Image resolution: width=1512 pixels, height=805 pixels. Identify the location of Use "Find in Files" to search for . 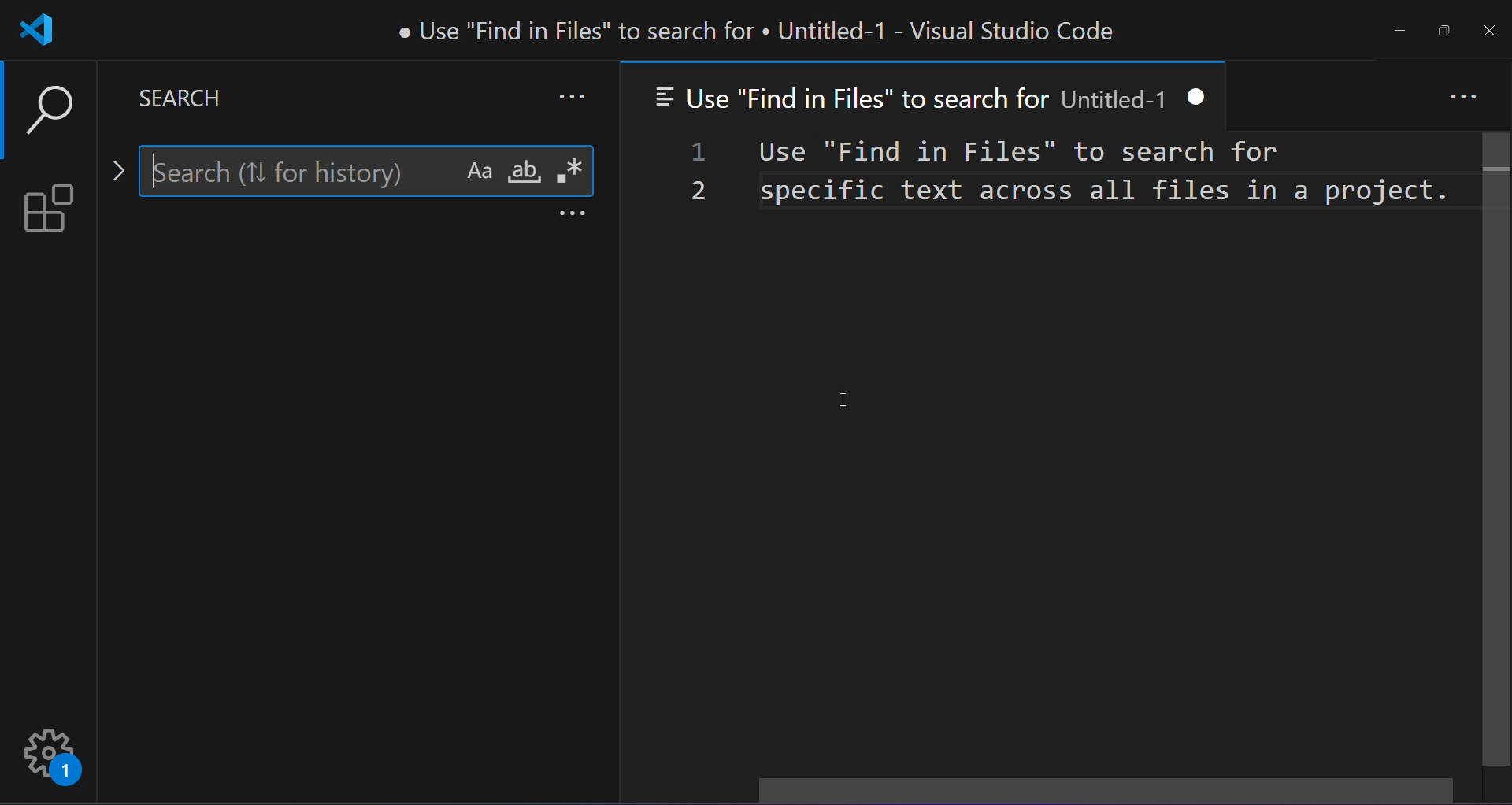
(850, 97).